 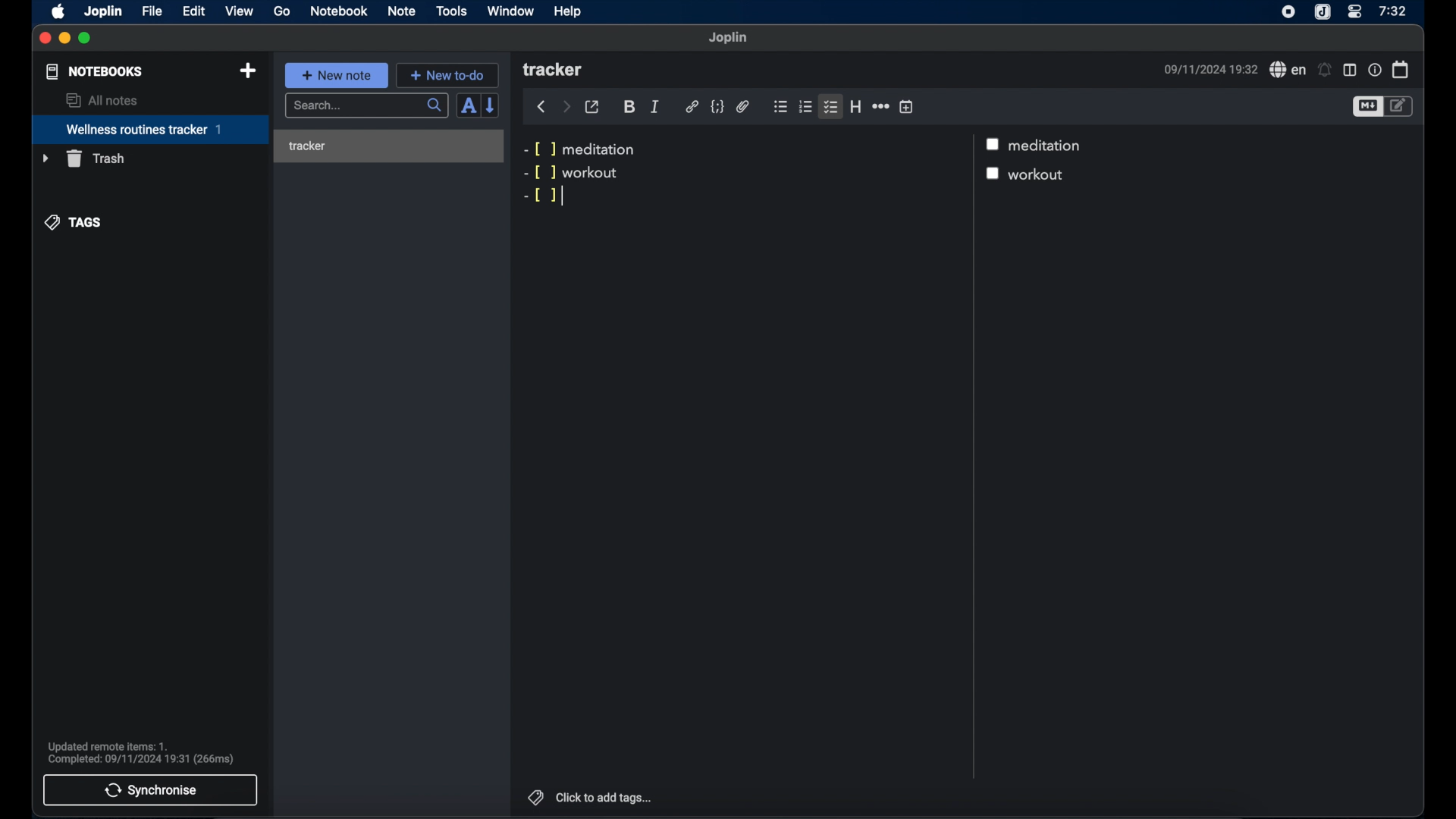 What do you see at coordinates (717, 107) in the screenshot?
I see `code` at bounding box center [717, 107].